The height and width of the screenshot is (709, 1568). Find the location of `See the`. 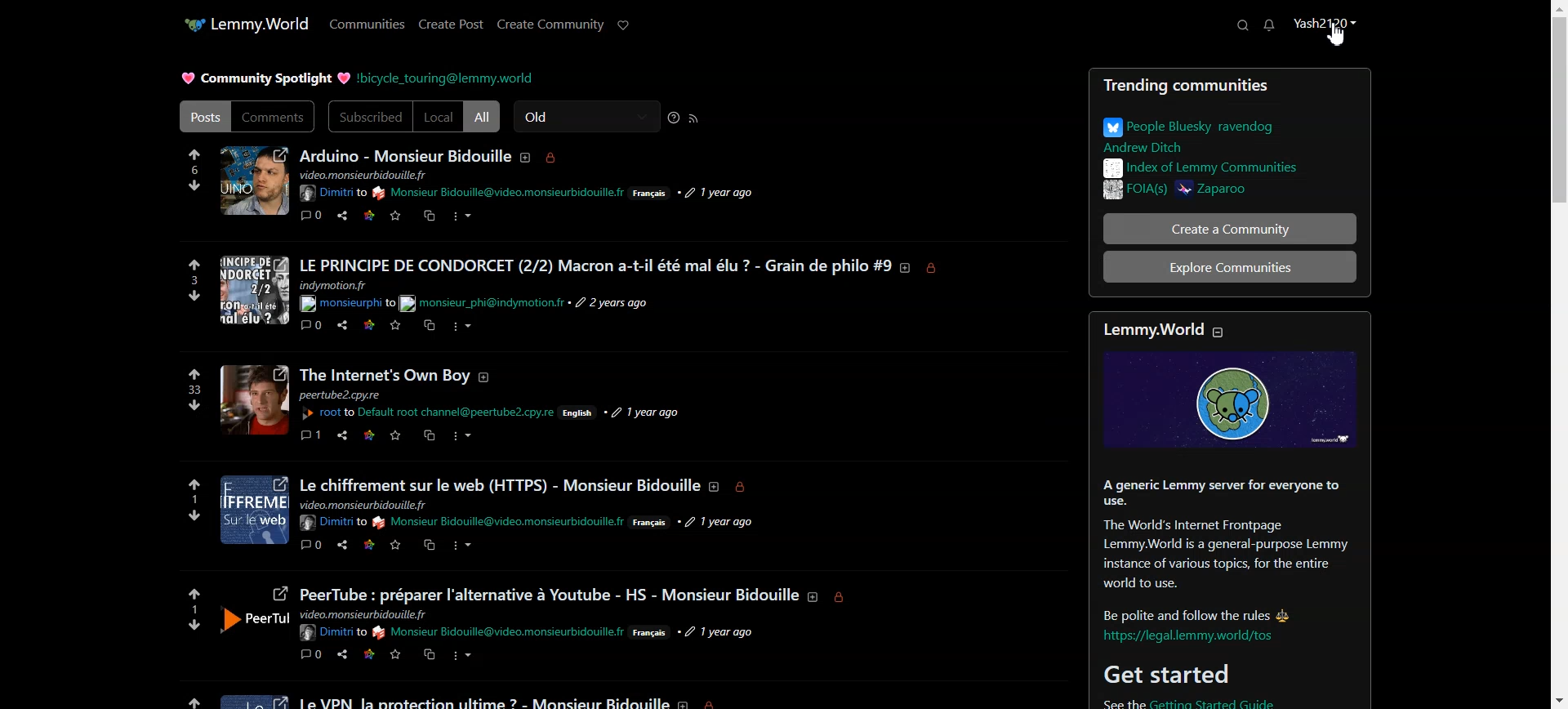

See the is located at coordinates (1098, 702).